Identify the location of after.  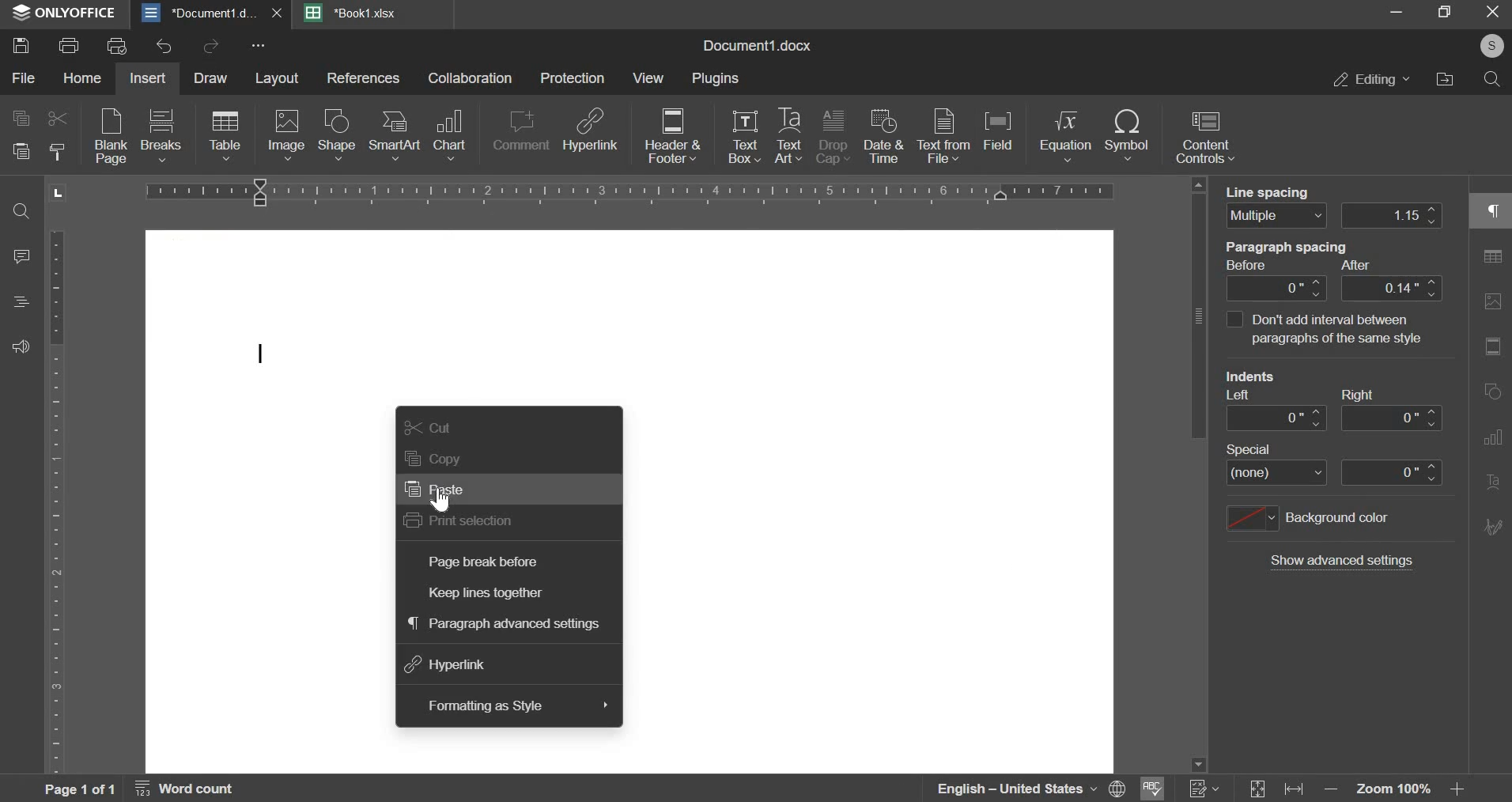
(1392, 288).